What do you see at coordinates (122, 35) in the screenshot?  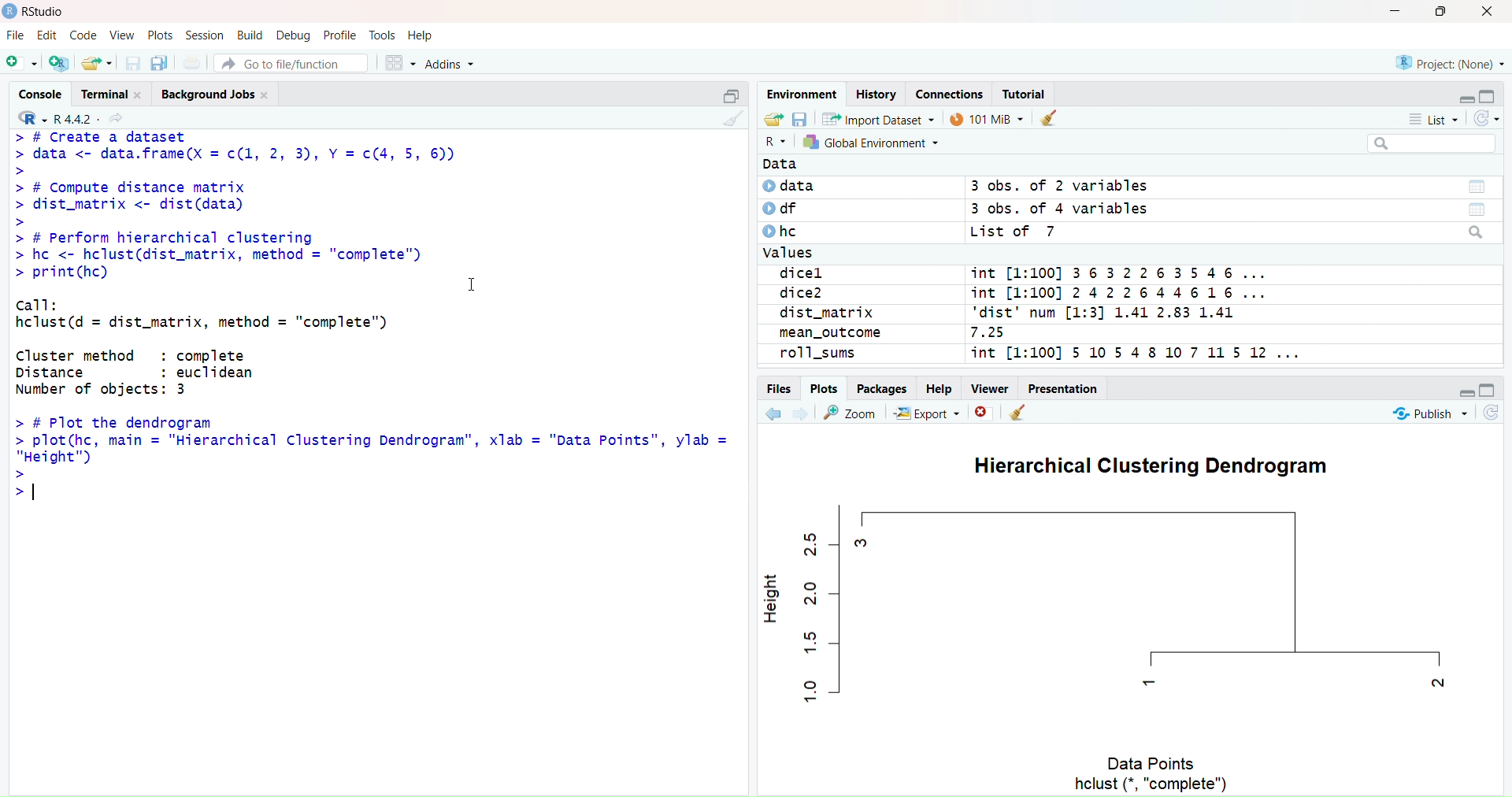 I see `View` at bounding box center [122, 35].